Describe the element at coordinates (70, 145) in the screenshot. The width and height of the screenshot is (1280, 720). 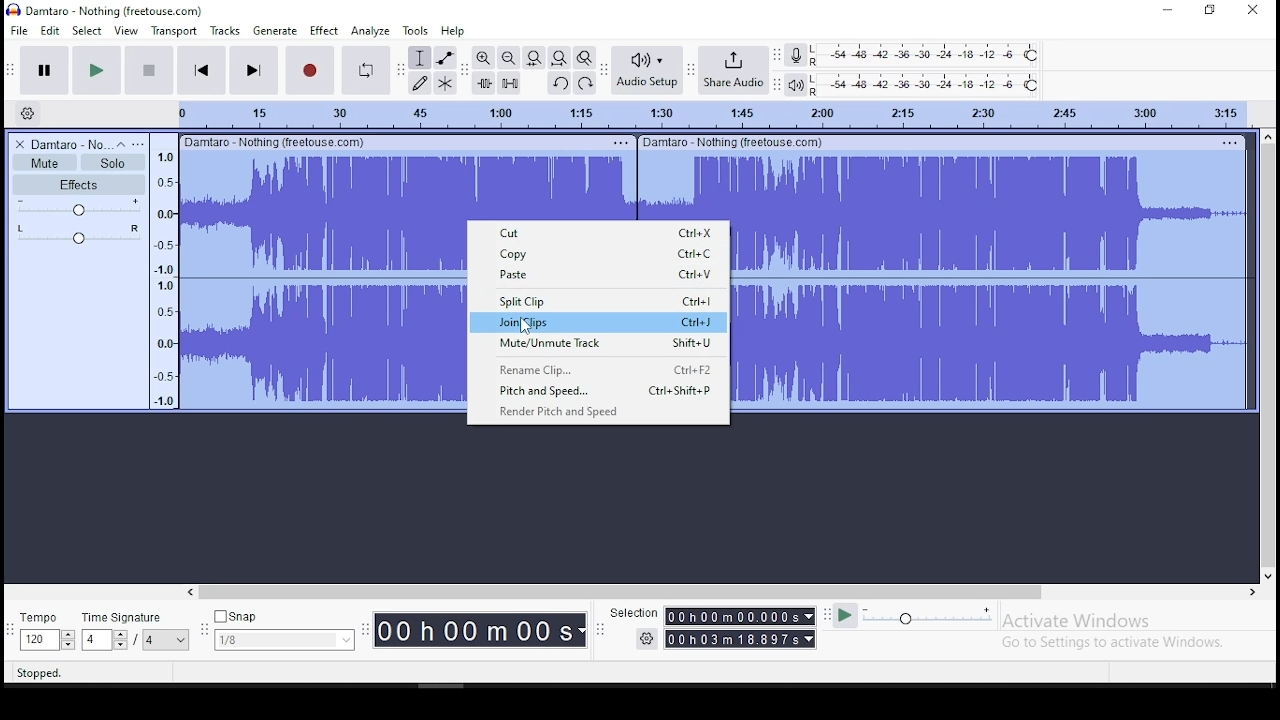
I see `audio track name` at that location.